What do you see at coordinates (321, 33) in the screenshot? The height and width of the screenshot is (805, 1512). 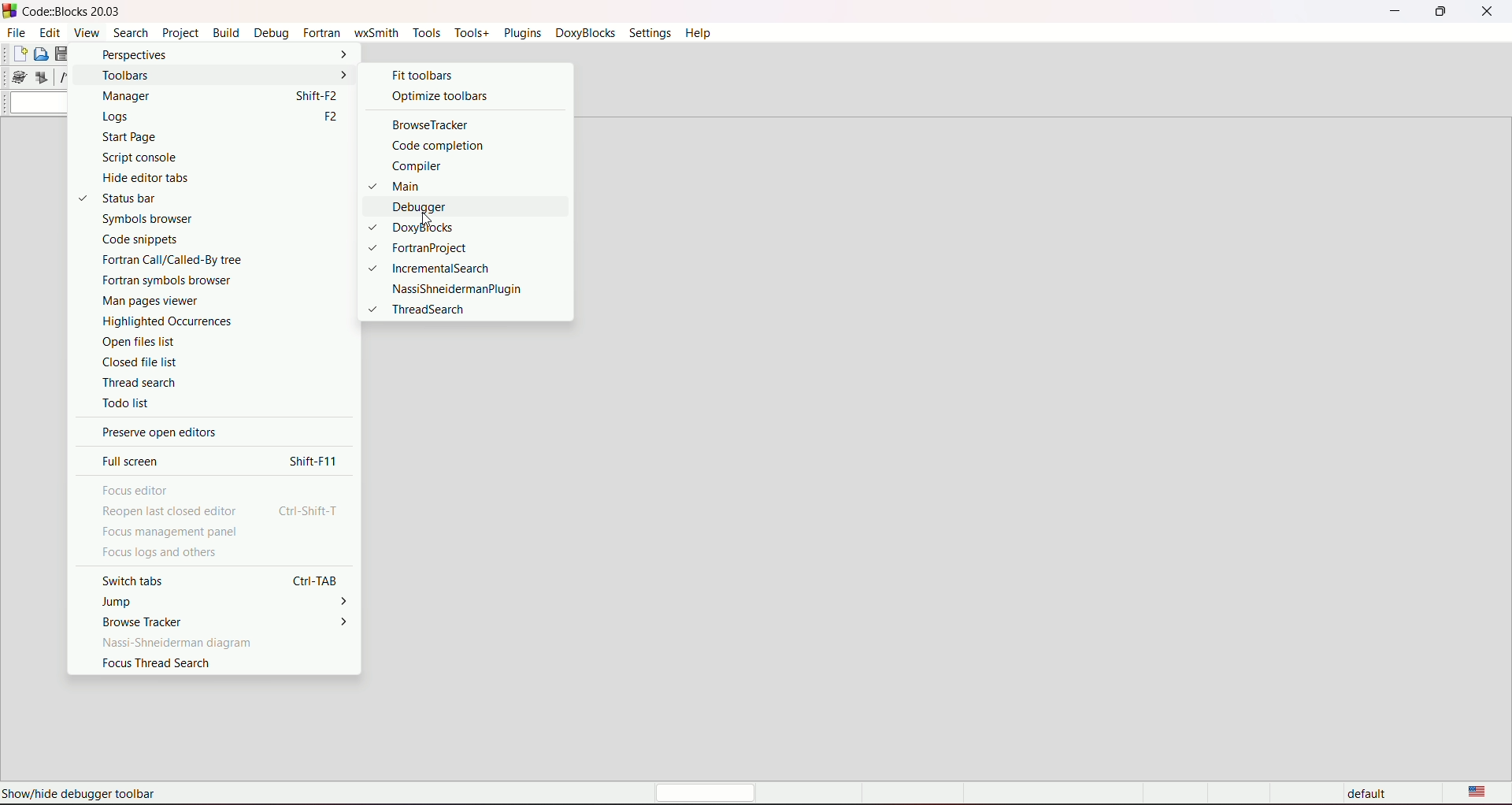 I see `fortran` at bounding box center [321, 33].